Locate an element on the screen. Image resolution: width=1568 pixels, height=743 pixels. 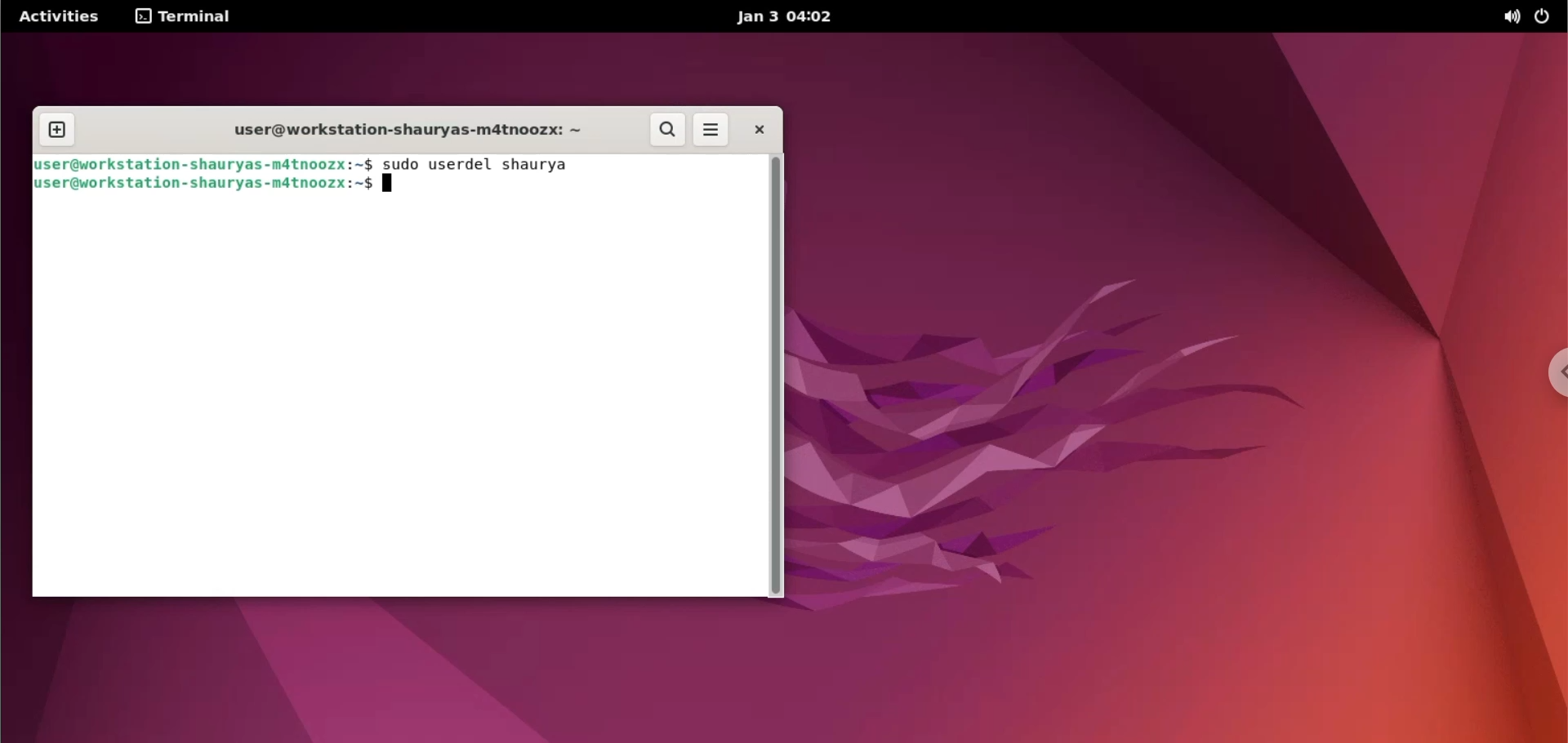
user@workstation-shauryas-m4tnoozx: ~ is located at coordinates (410, 129).